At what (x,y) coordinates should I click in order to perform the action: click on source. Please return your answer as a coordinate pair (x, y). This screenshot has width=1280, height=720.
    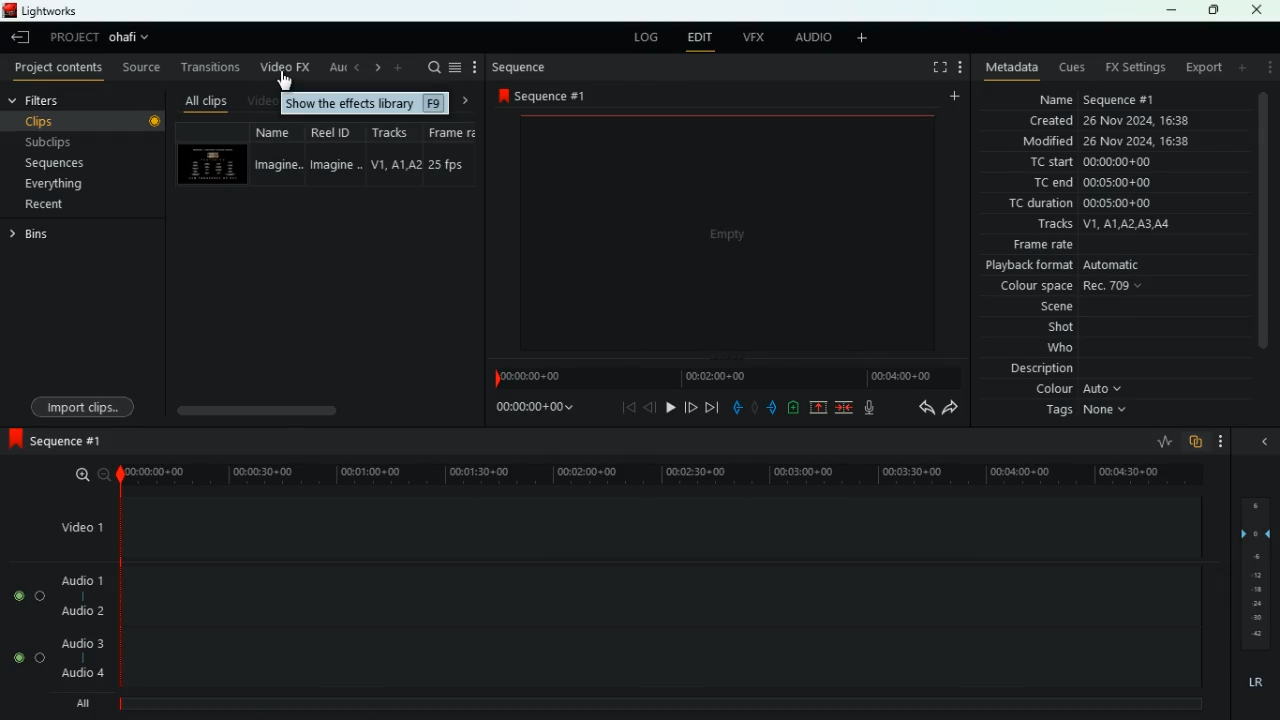
    Looking at the image, I should click on (140, 67).